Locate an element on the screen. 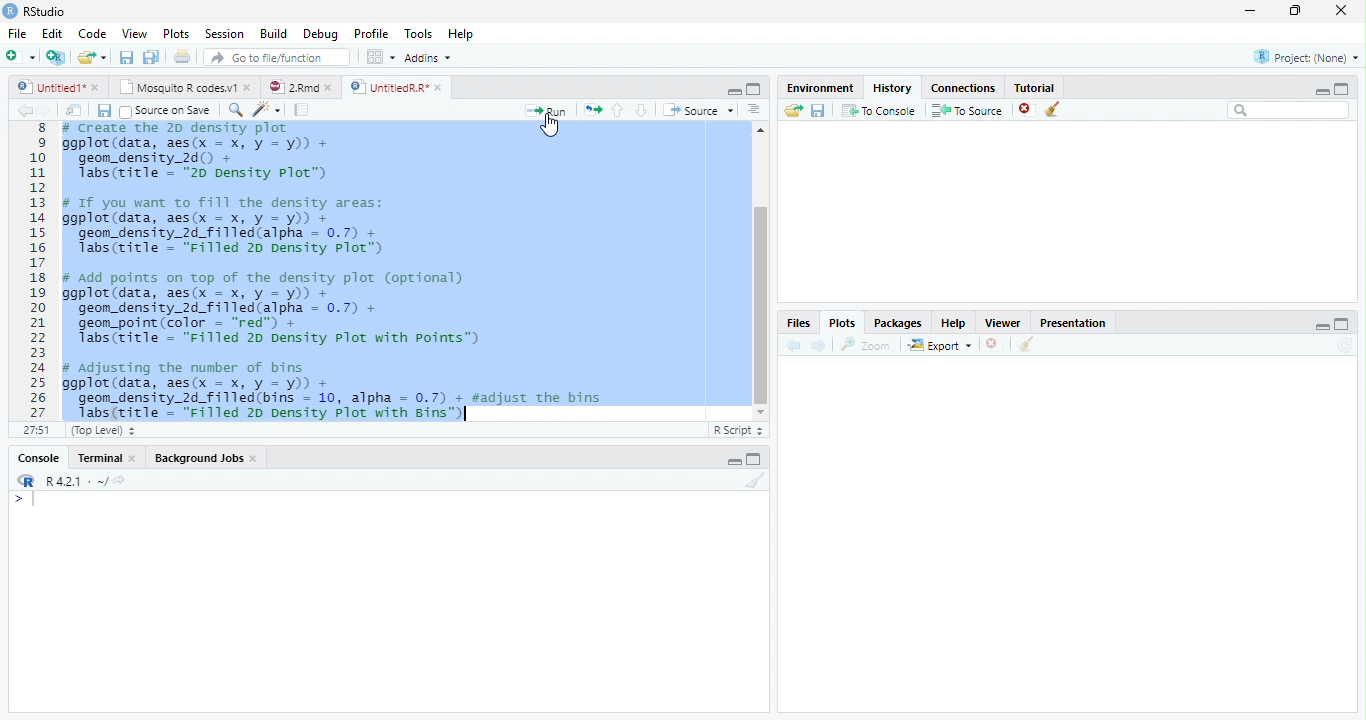 Image resolution: width=1366 pixels, height=720 pixels. Source on Save is located at coordinates (163, 111).